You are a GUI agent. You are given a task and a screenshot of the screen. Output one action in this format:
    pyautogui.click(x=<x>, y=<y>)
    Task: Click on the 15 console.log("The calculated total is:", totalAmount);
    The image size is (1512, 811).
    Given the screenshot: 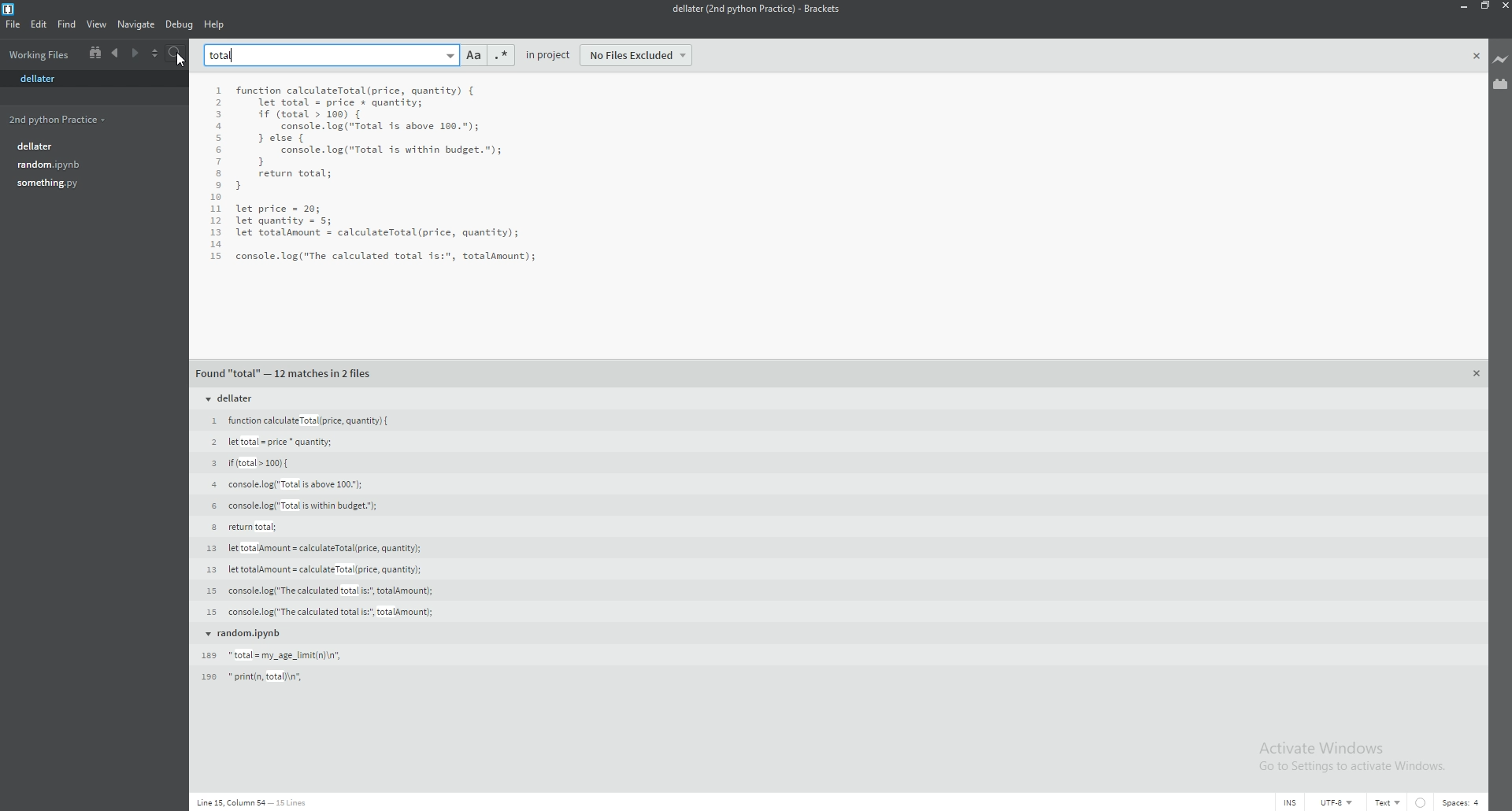 What is the action you would take?
    pyautogui.click(x=317, y=590)
    